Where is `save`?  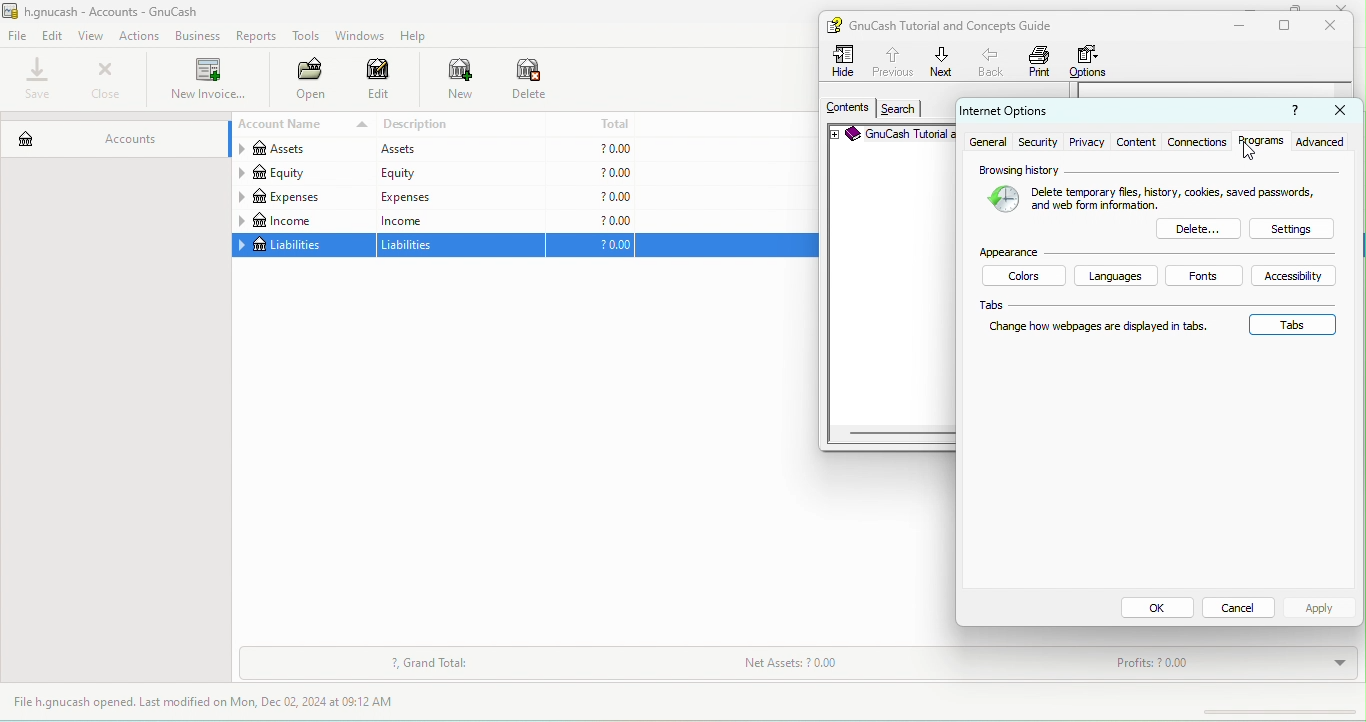 save is located at coordinates (39, 80).